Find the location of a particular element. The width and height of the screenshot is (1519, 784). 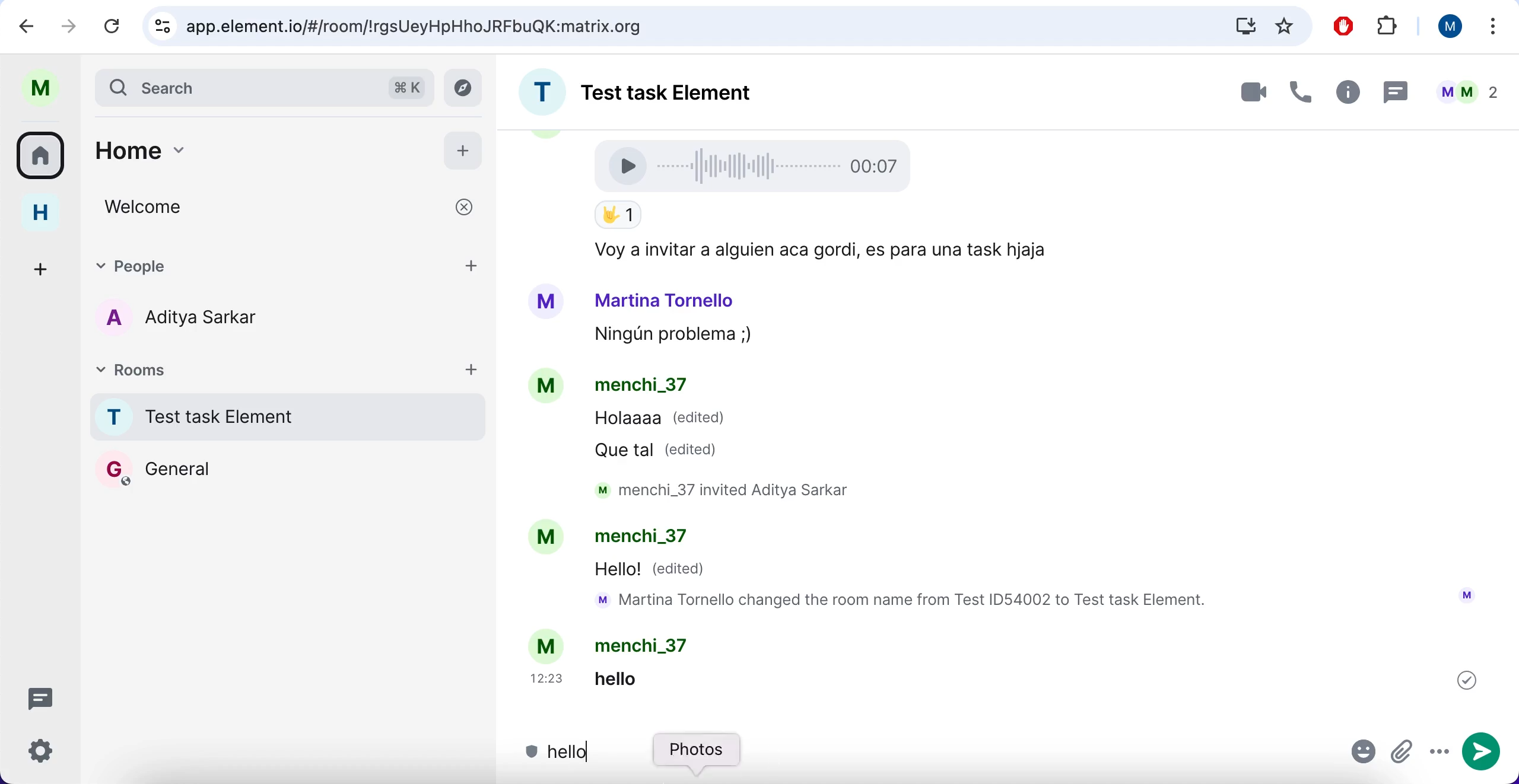

Avatar is located at coordinates (548, 645).